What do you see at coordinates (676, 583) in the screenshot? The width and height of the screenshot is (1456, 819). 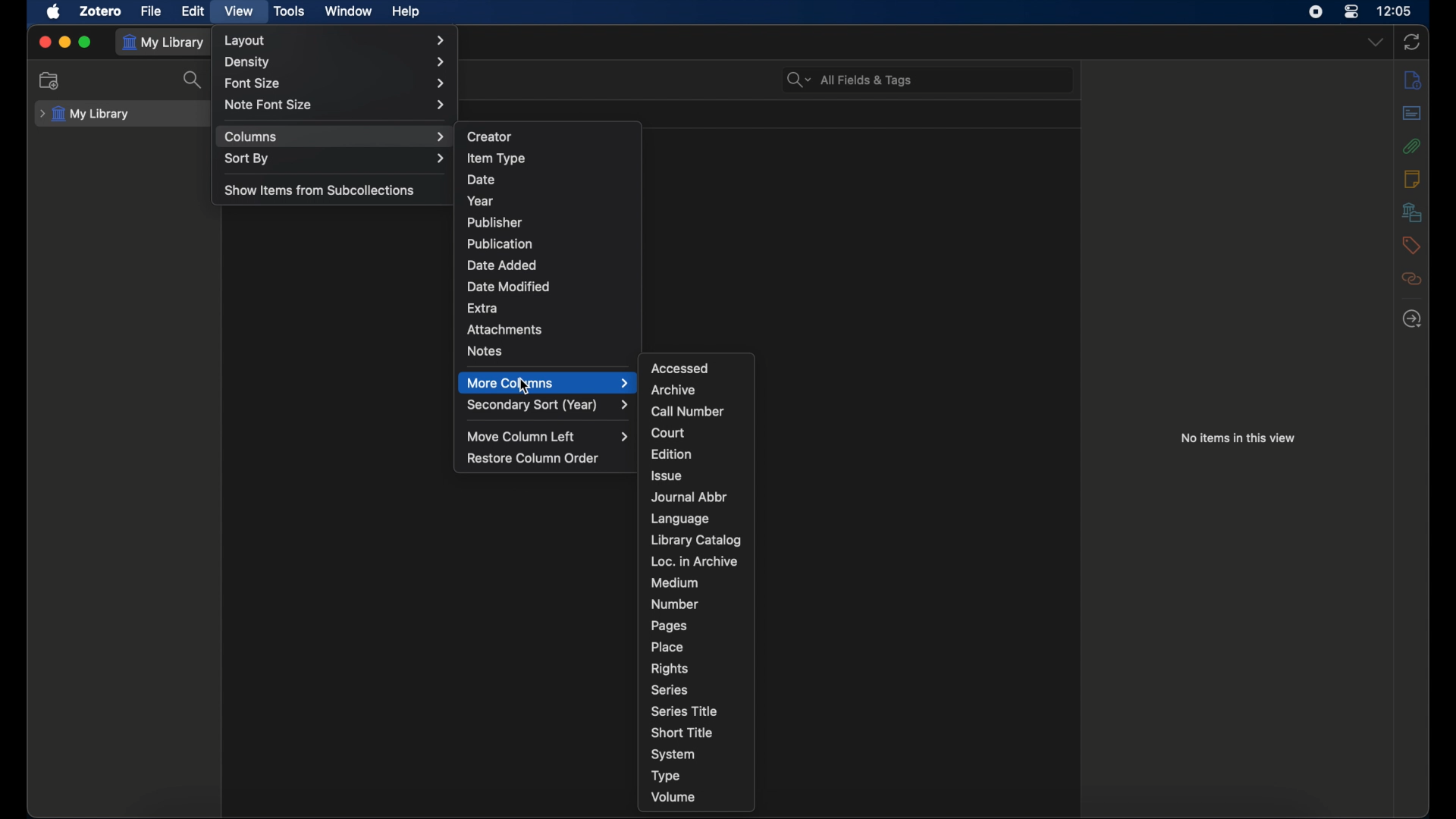 I see `medium` at bounding box center [676, 583].